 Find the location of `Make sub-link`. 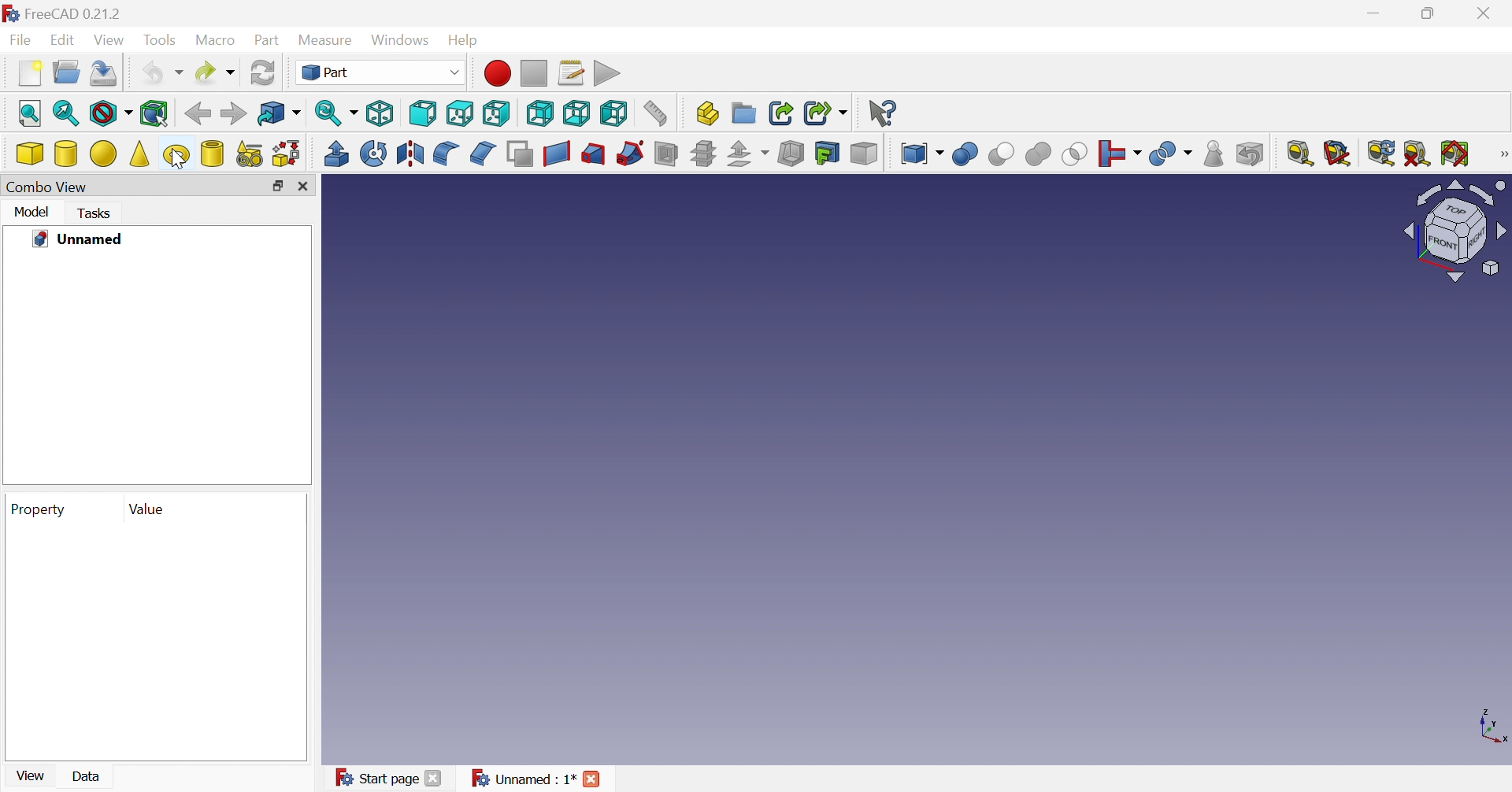

Make sub-link is located at coordinates (825, 112).